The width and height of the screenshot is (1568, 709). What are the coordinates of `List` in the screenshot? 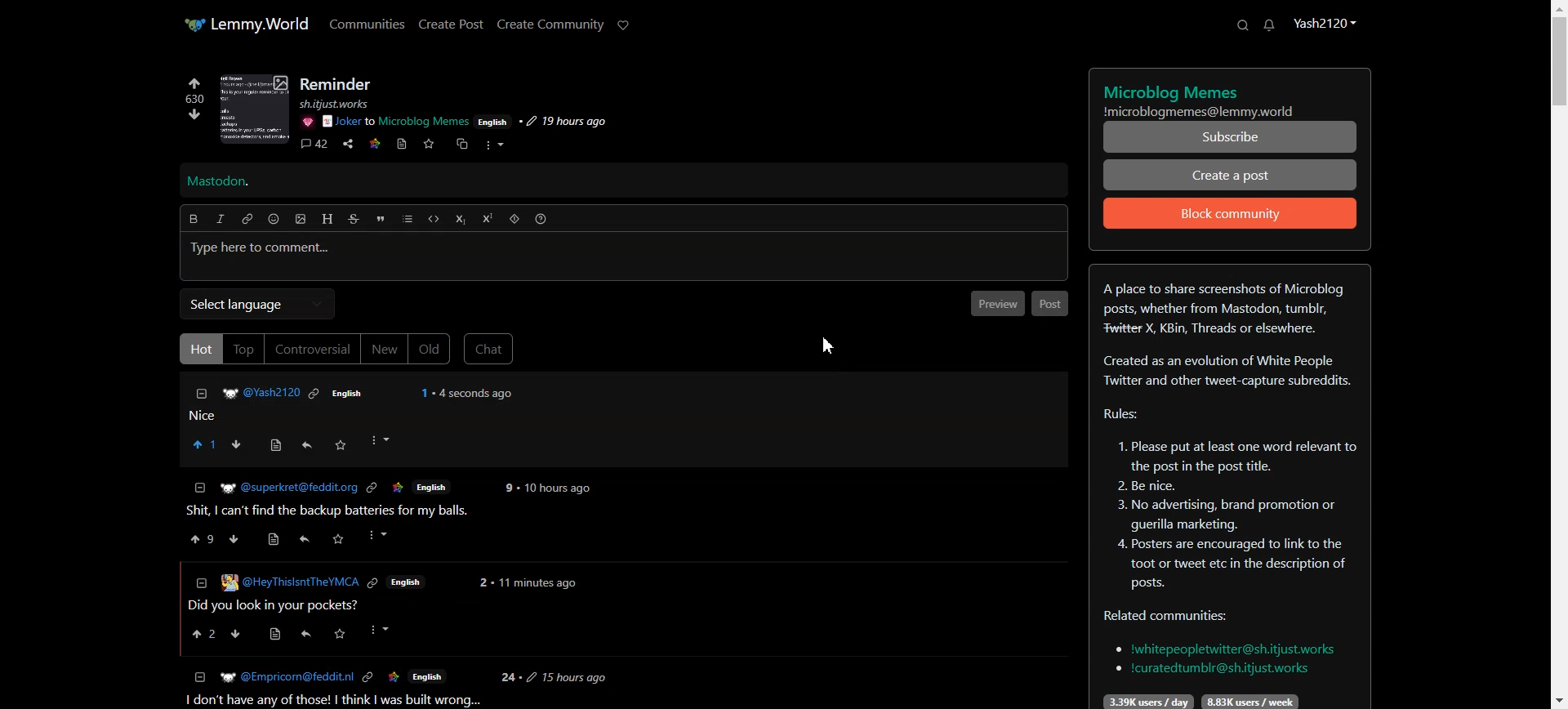 It's located at (408, 219).